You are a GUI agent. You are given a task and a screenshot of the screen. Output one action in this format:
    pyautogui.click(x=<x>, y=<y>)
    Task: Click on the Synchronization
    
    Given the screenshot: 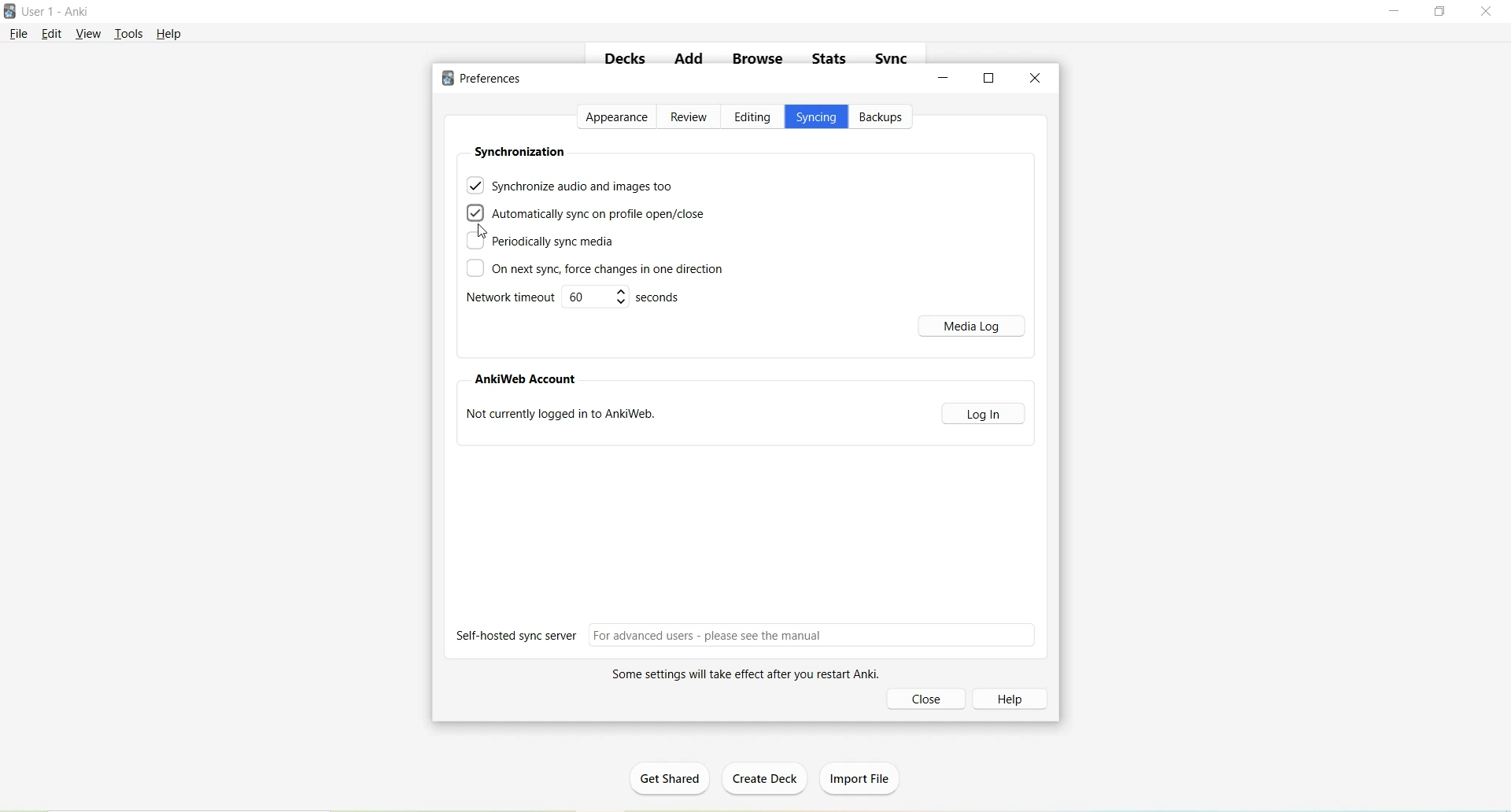 What is the action you would take?
    pyautogui.click(x=519, y=151)
    